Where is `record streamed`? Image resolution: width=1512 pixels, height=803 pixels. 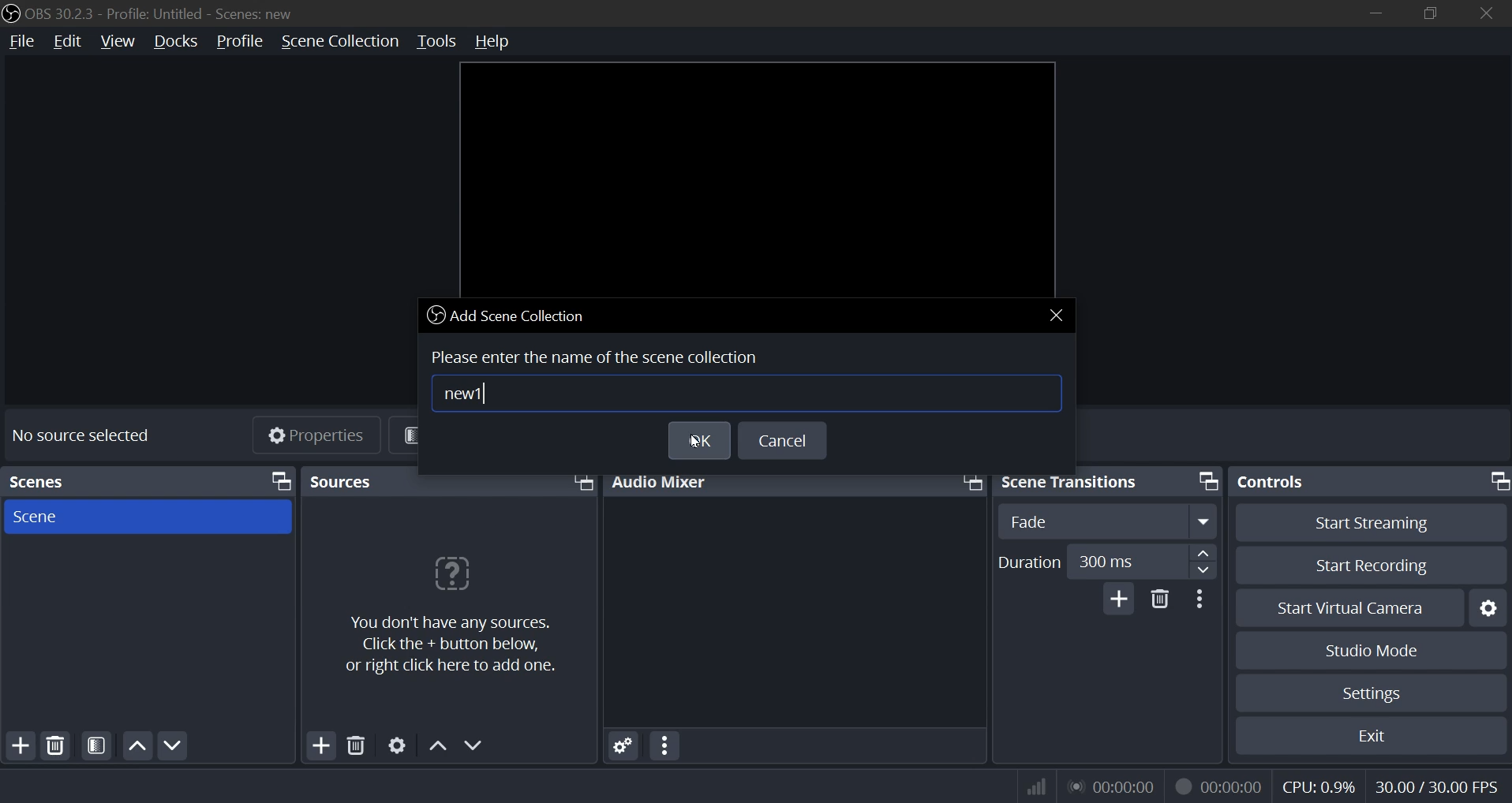
record streamed is located at coordinates (1218, 785).